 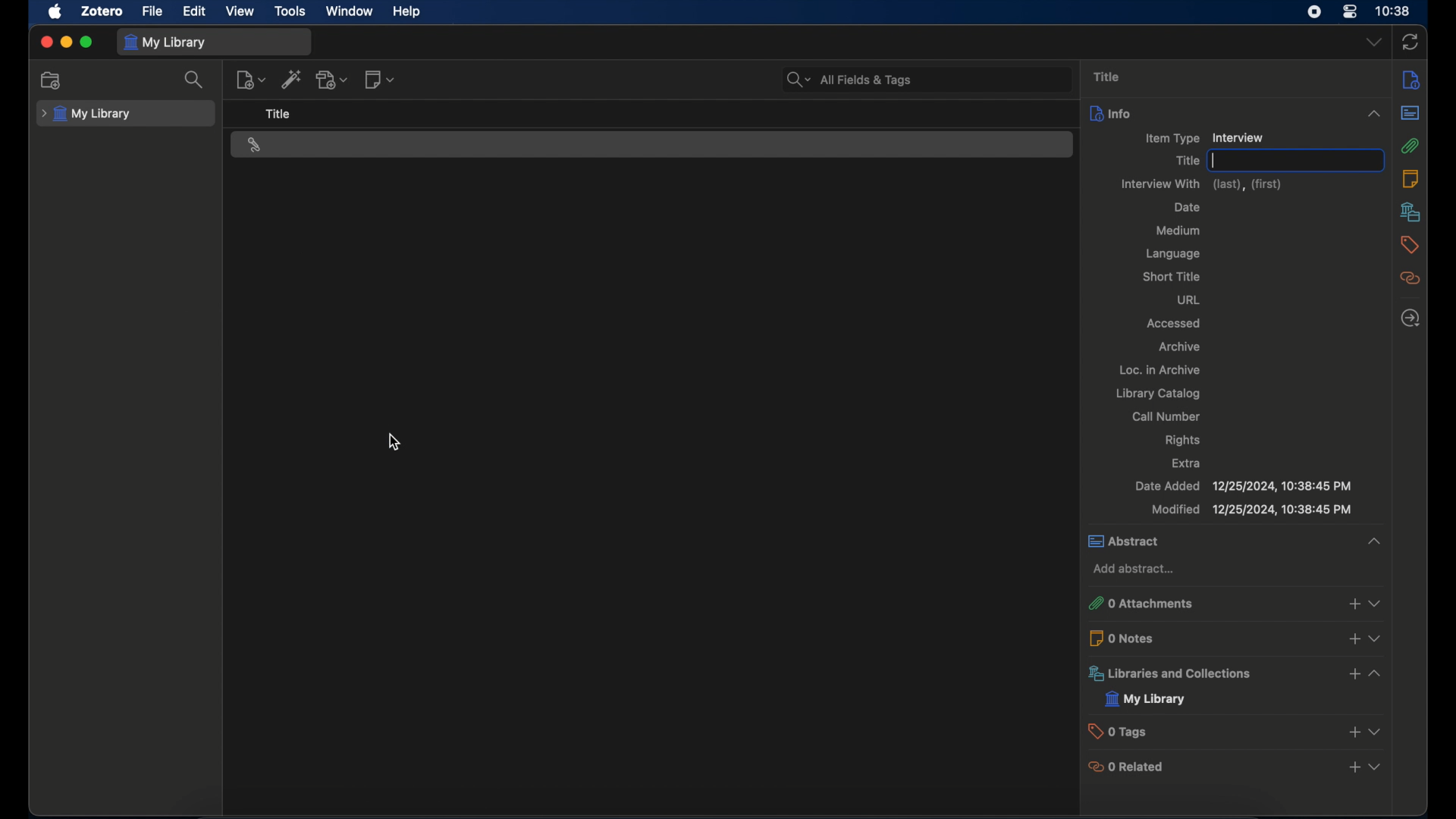 I want to click on my library, so click(x=165, y=43).